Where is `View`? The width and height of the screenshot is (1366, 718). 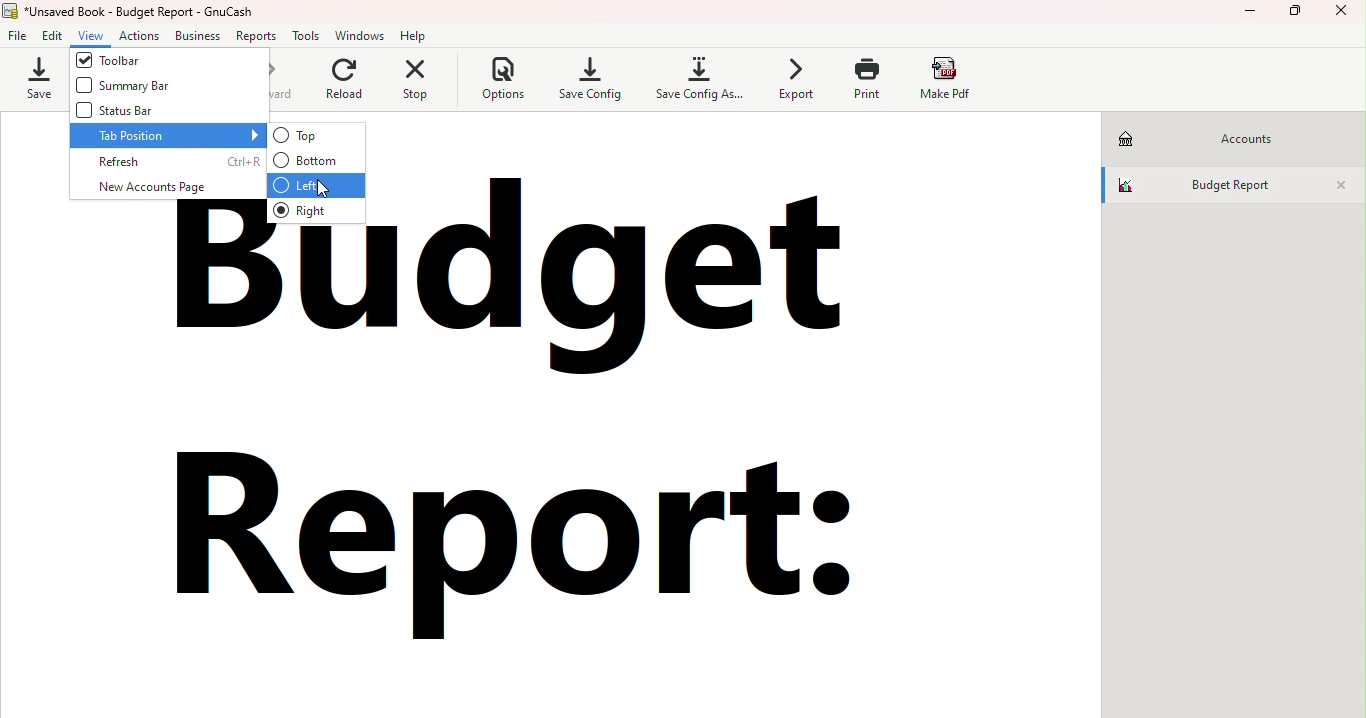 View is located at coordinates (93, 35).